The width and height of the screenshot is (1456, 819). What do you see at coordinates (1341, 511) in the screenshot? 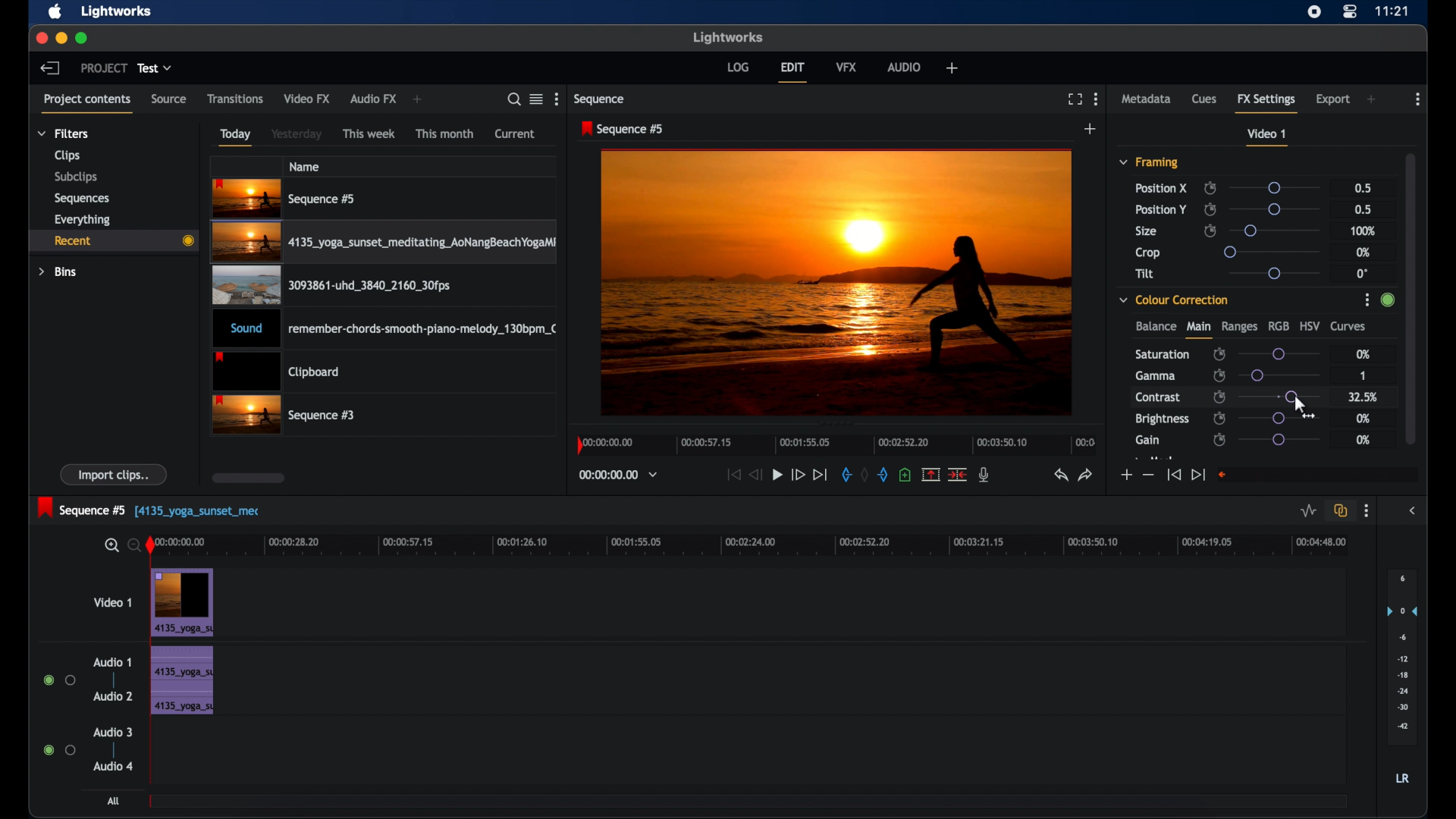
I see `toggle auto track sync` at bounding box center [1341, 511].